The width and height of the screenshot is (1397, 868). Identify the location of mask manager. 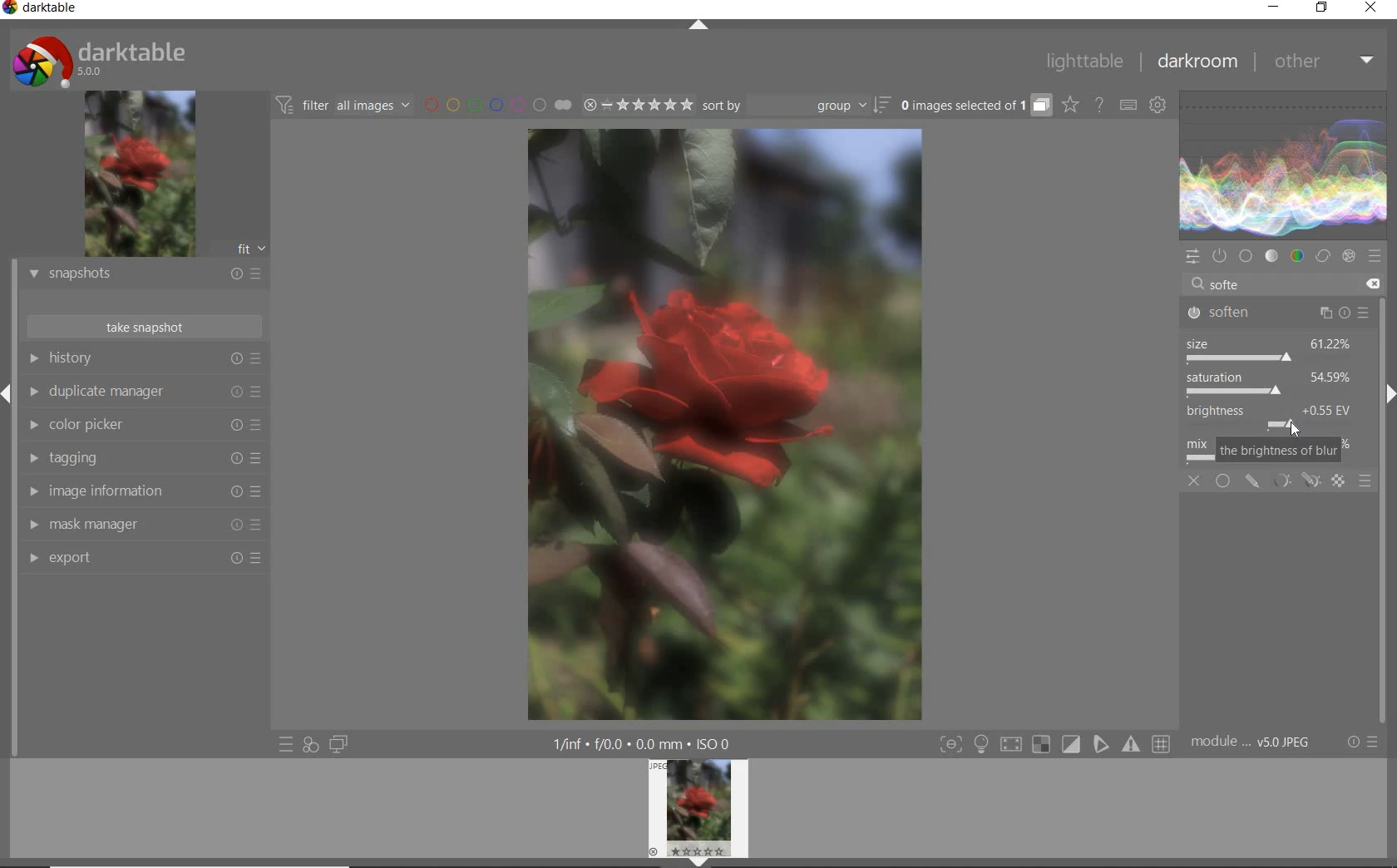
(142, 525).